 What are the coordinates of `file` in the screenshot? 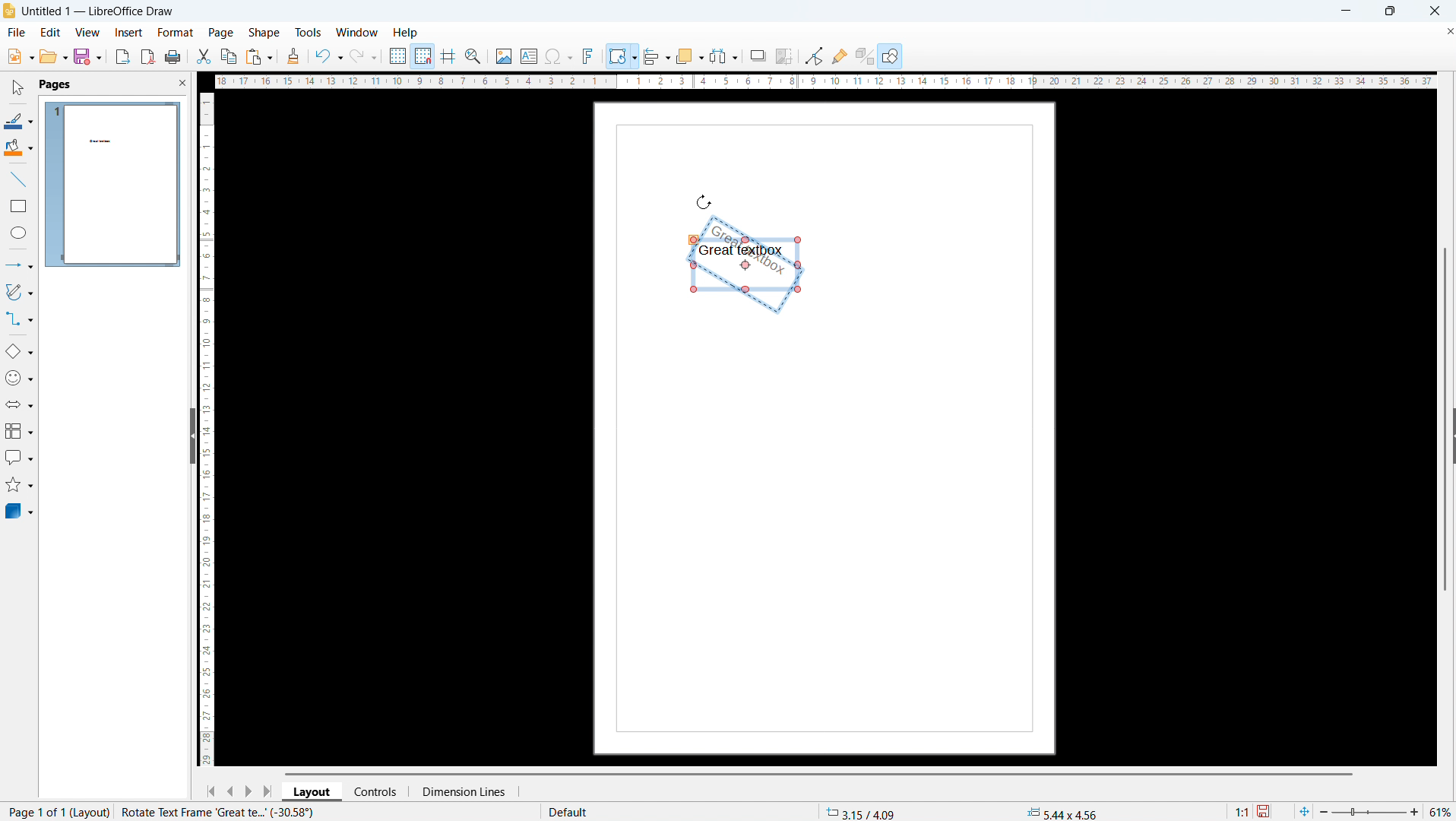 It's located at (15, 33).